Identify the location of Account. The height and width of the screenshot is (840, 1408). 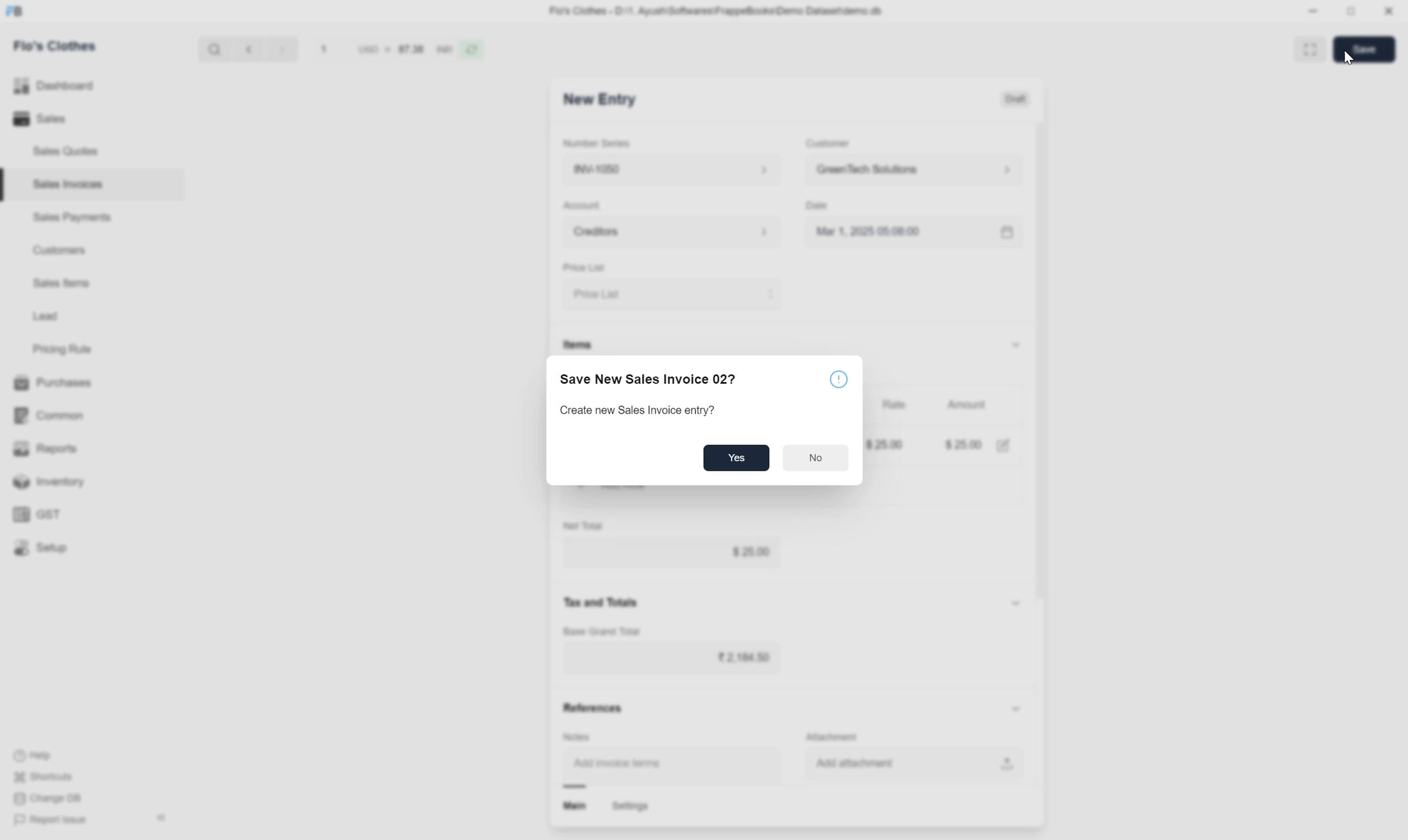
(584, 205).